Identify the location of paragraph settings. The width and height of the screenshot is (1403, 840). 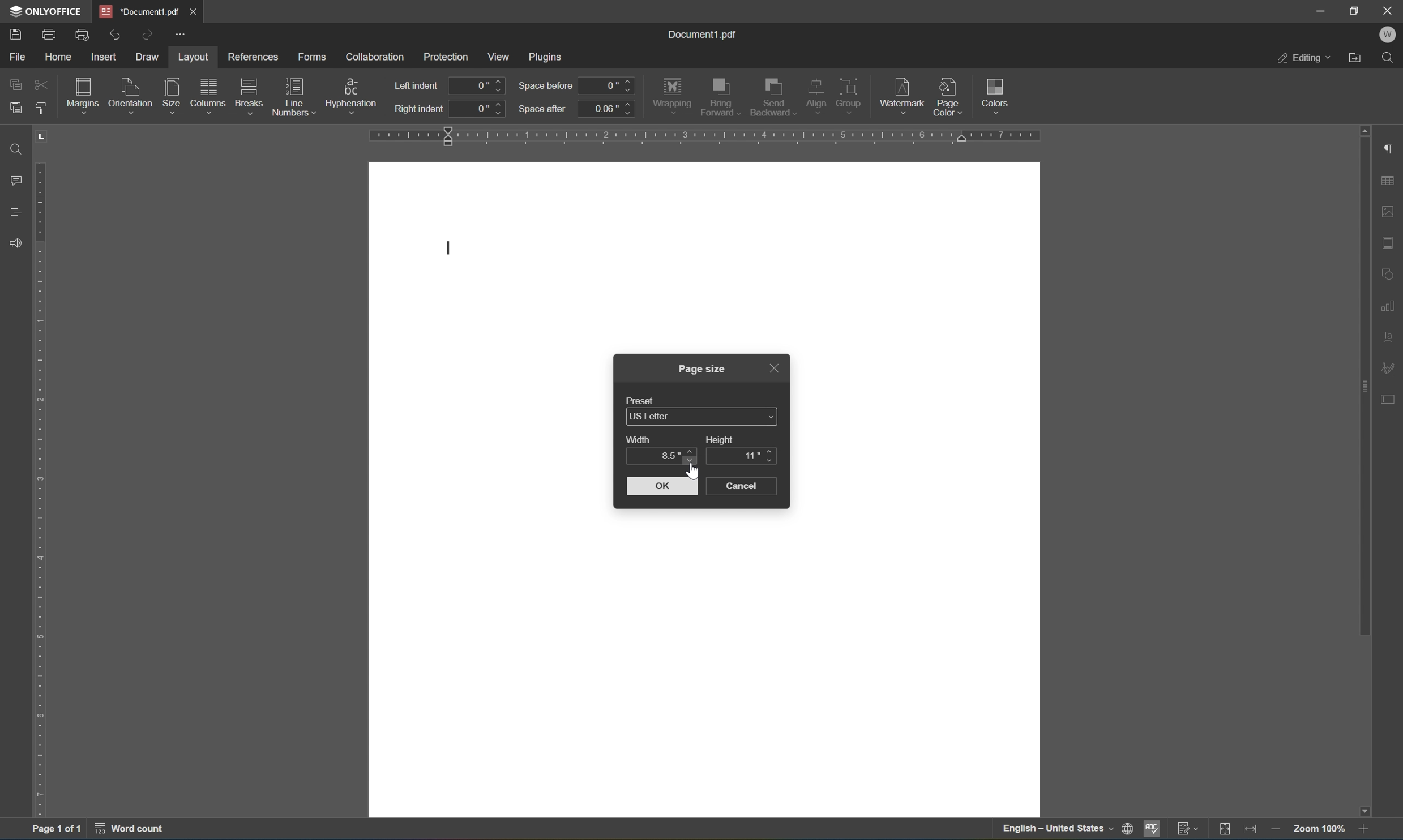
(1391, 148).